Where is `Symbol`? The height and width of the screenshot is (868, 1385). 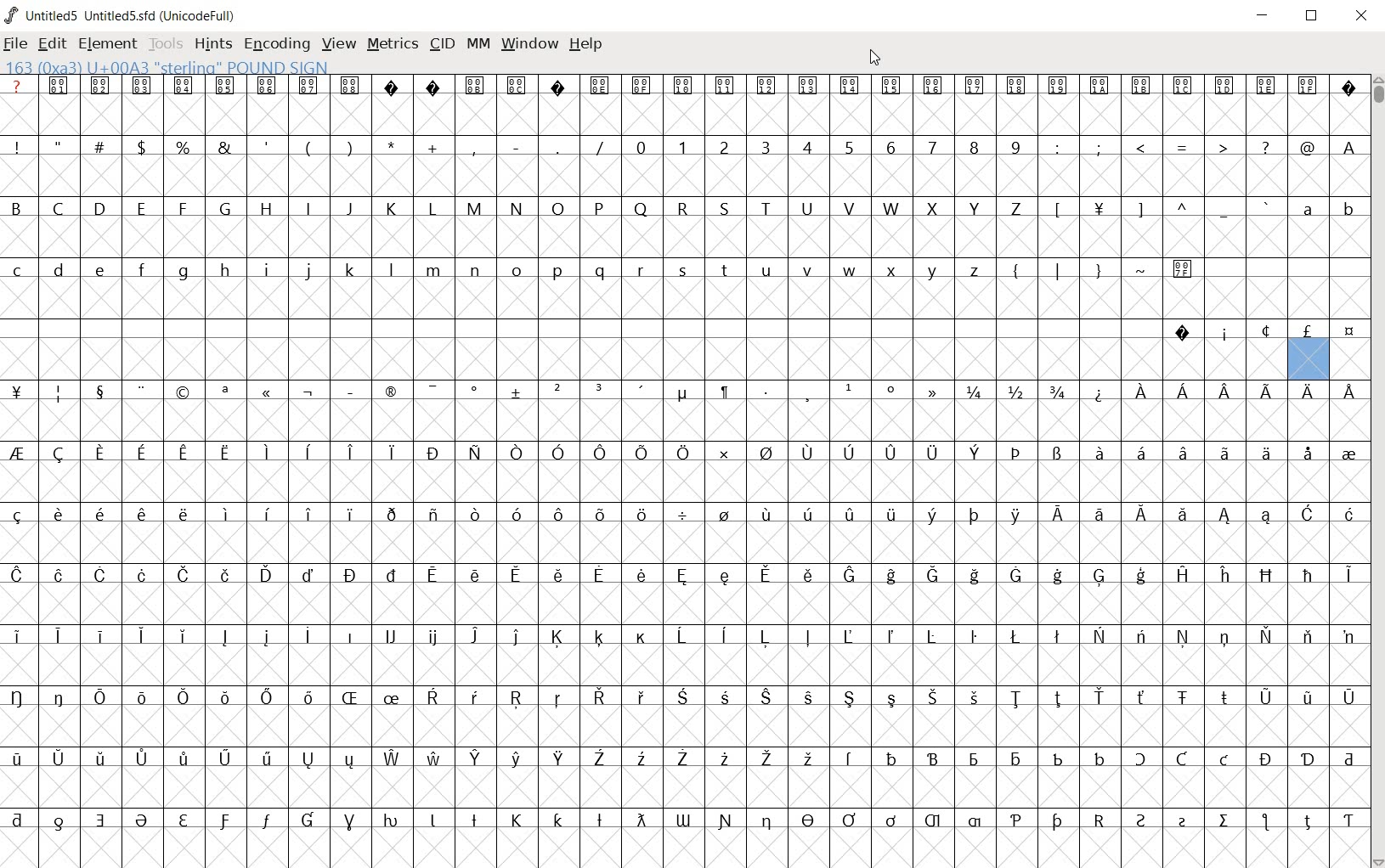
Symbol is located at coordinates (1138, 453).